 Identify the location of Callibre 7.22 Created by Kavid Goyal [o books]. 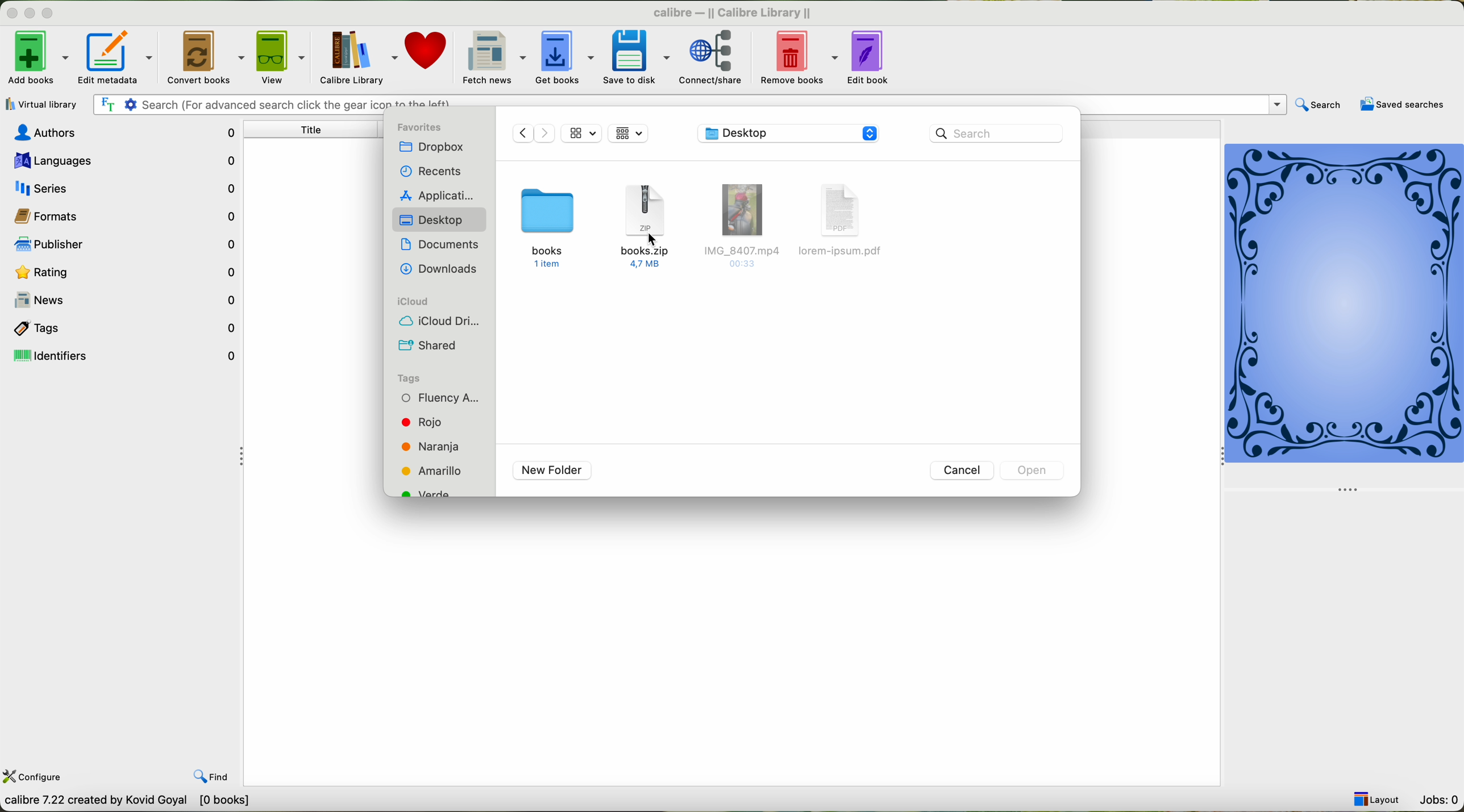
(138, 802).